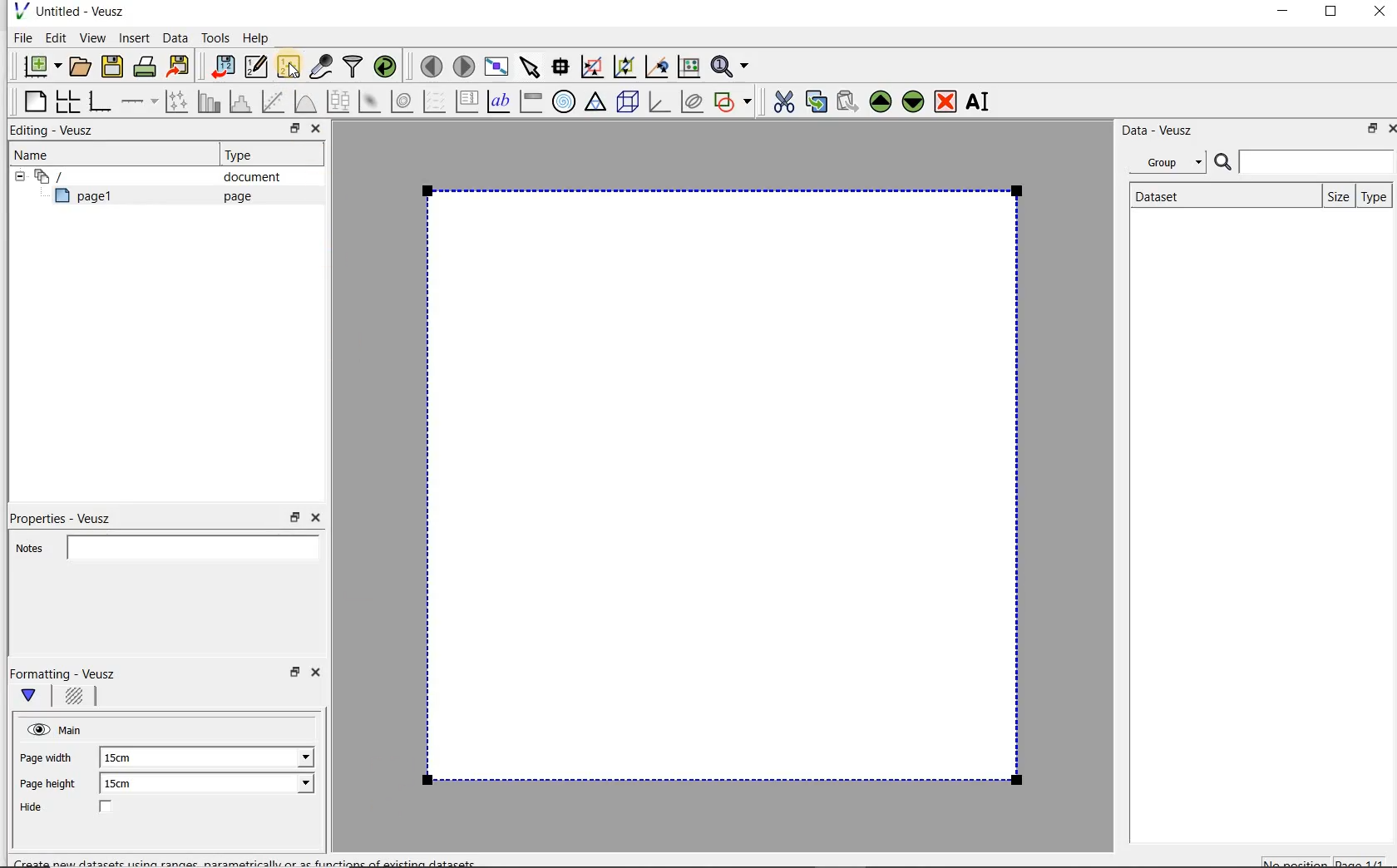 This screenshot has width=1397, height=868. I want to click on view plot full screen, so click(495, 65).